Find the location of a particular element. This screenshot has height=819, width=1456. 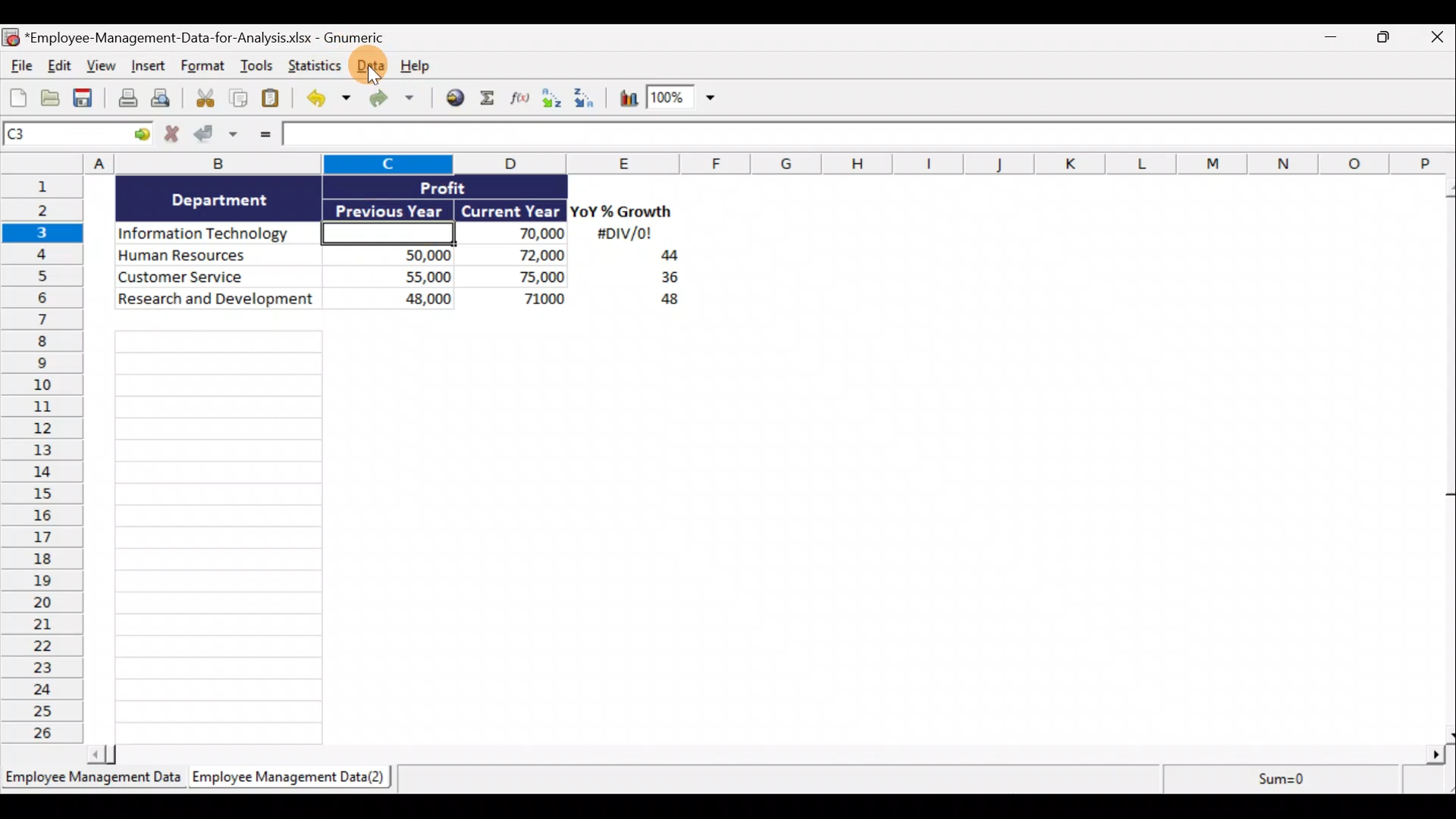

Save current workbook is located at coordinates (84, 99).